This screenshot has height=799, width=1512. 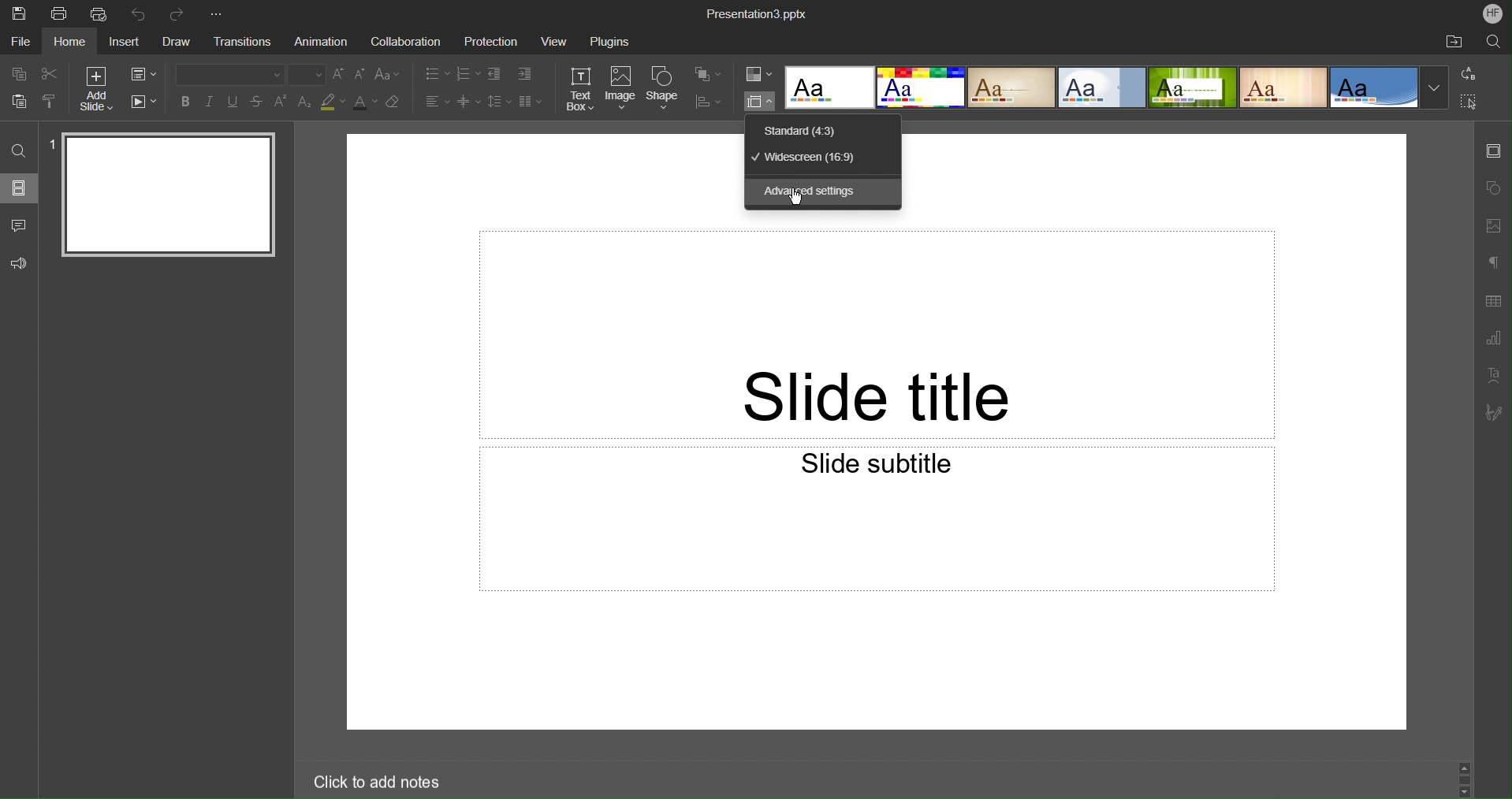 I want to click on Change Slide Layout, so click(x=145, y=74).